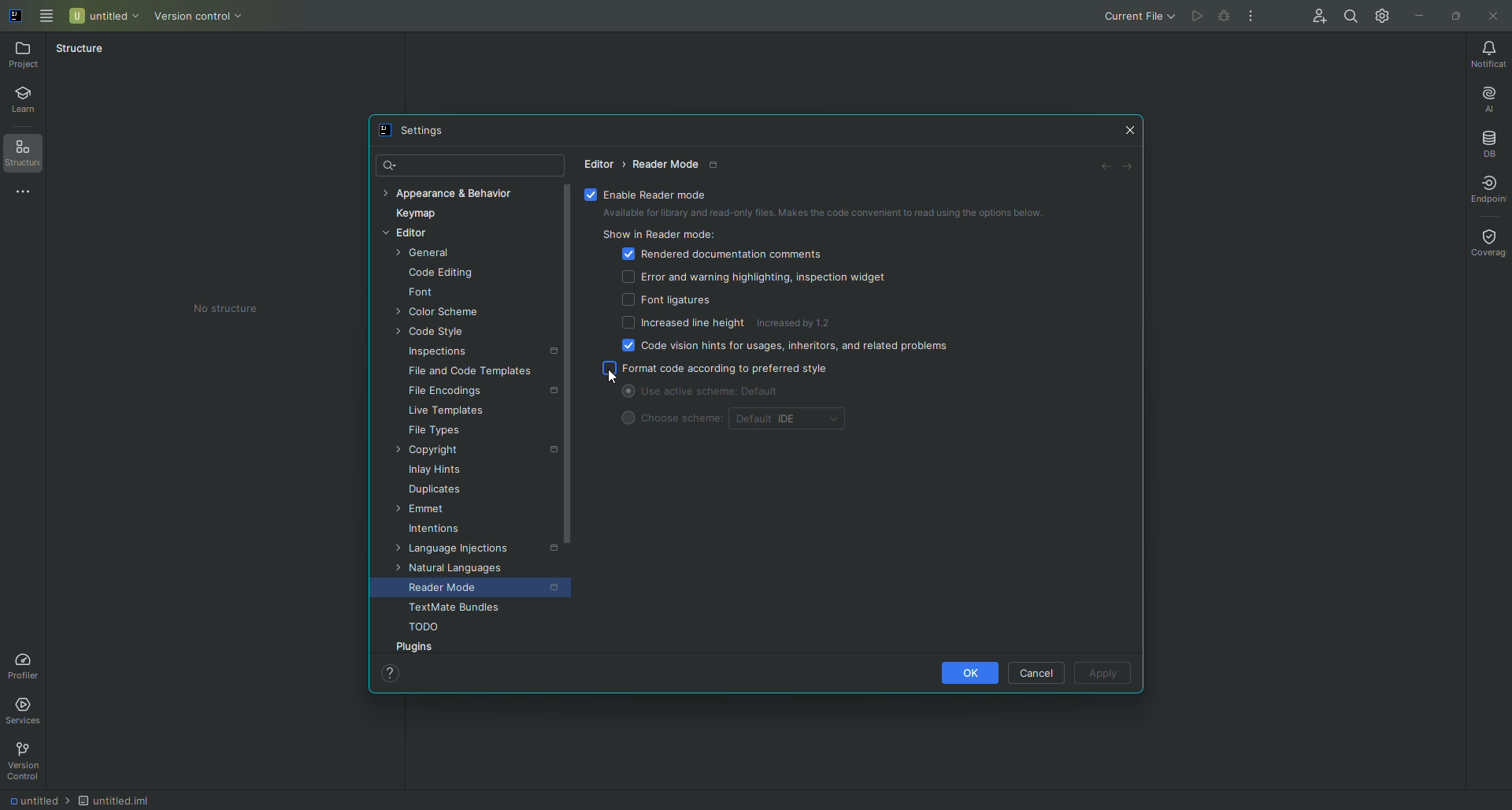 Image resolution: width=1512 pixels, height=810 pixels. Describe the element at coordinates (28, 761) in the screenshot. I see `Version Control` at that location.